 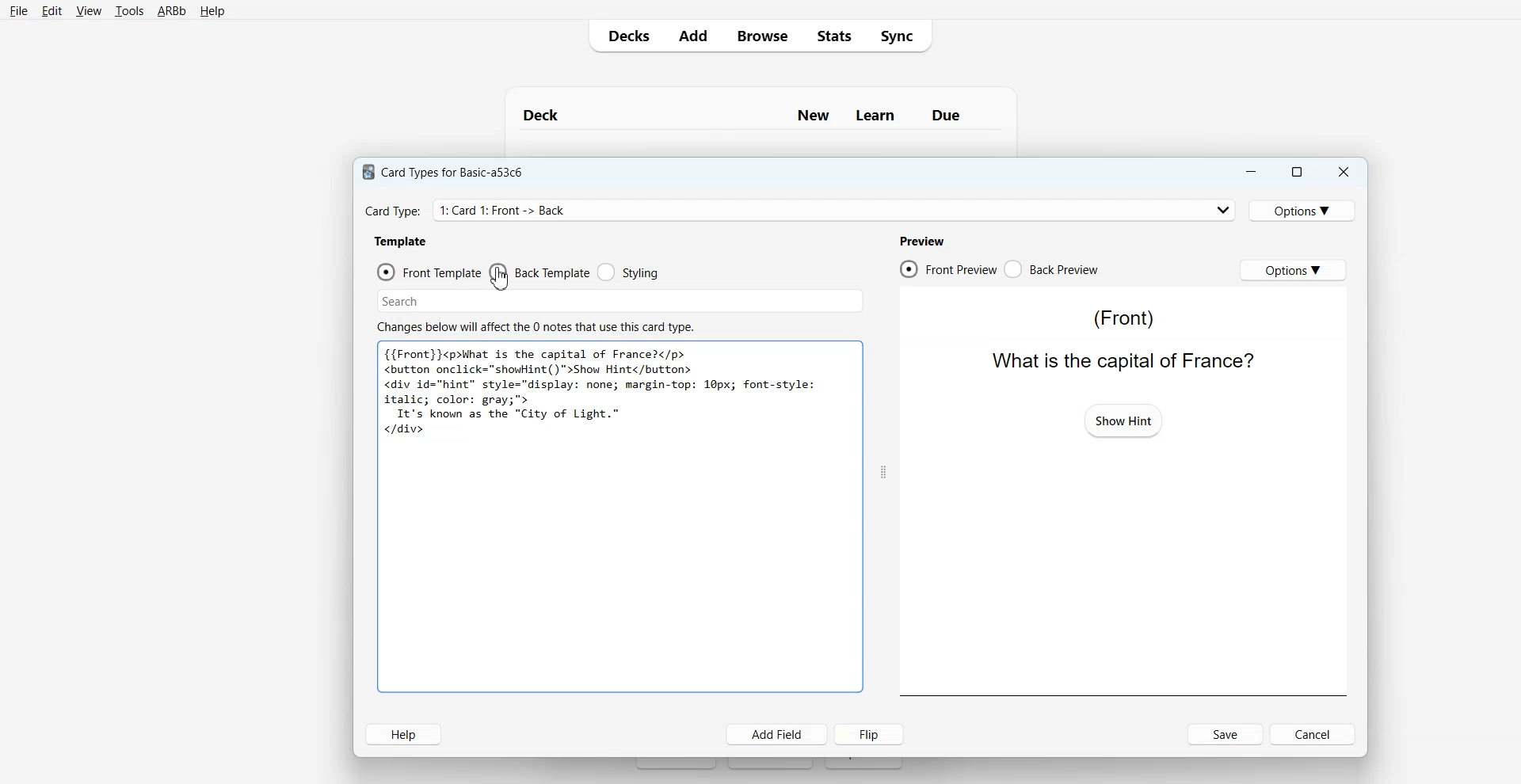 What do you see at coordinates (630, 272) in the screenshot?
I see `Styling` at bounding box center [630, 272].